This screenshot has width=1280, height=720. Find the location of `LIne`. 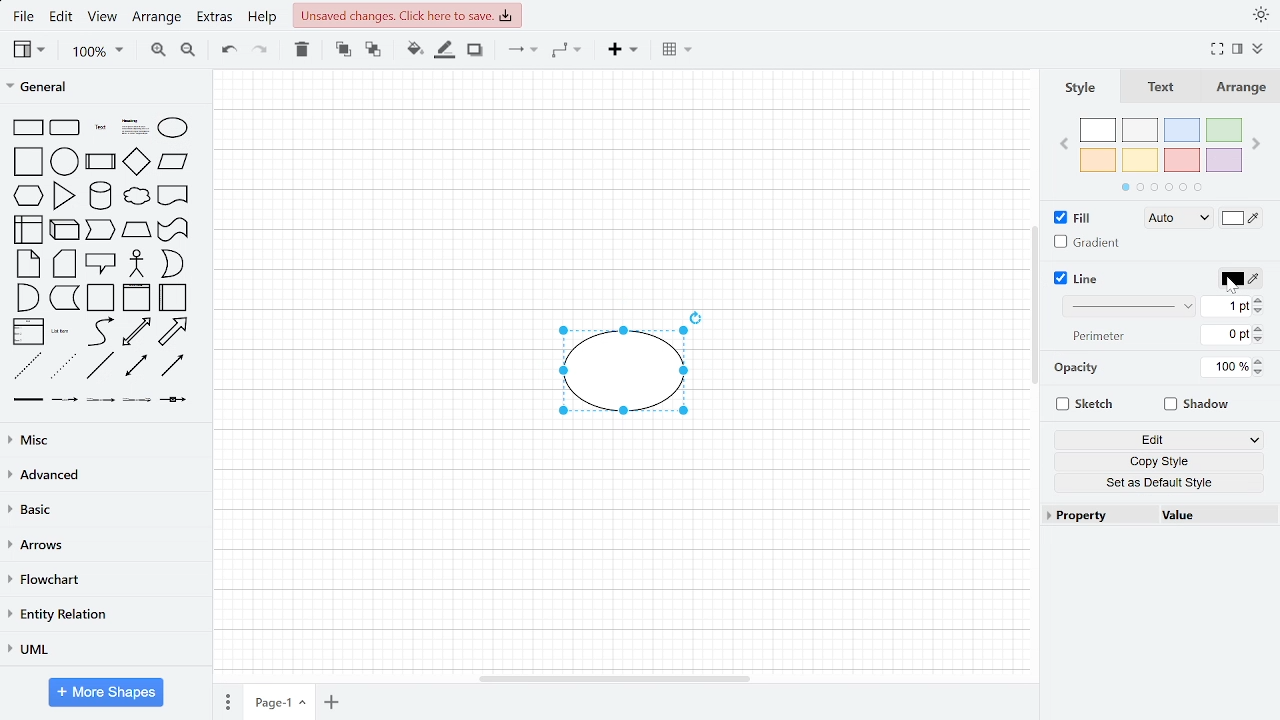

LIne is located at coordinates (1079, 278).